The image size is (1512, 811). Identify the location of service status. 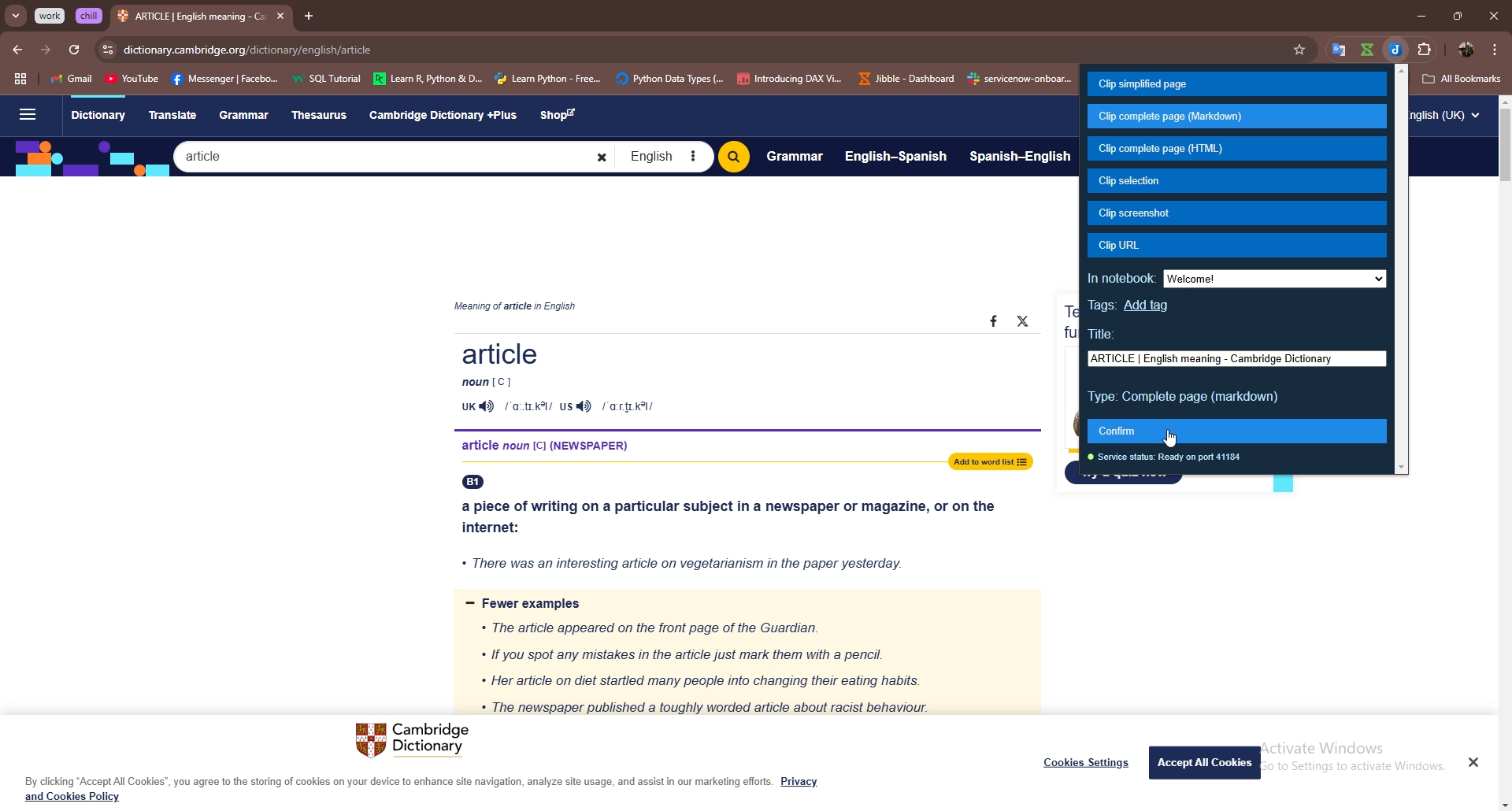
(1169, 458).